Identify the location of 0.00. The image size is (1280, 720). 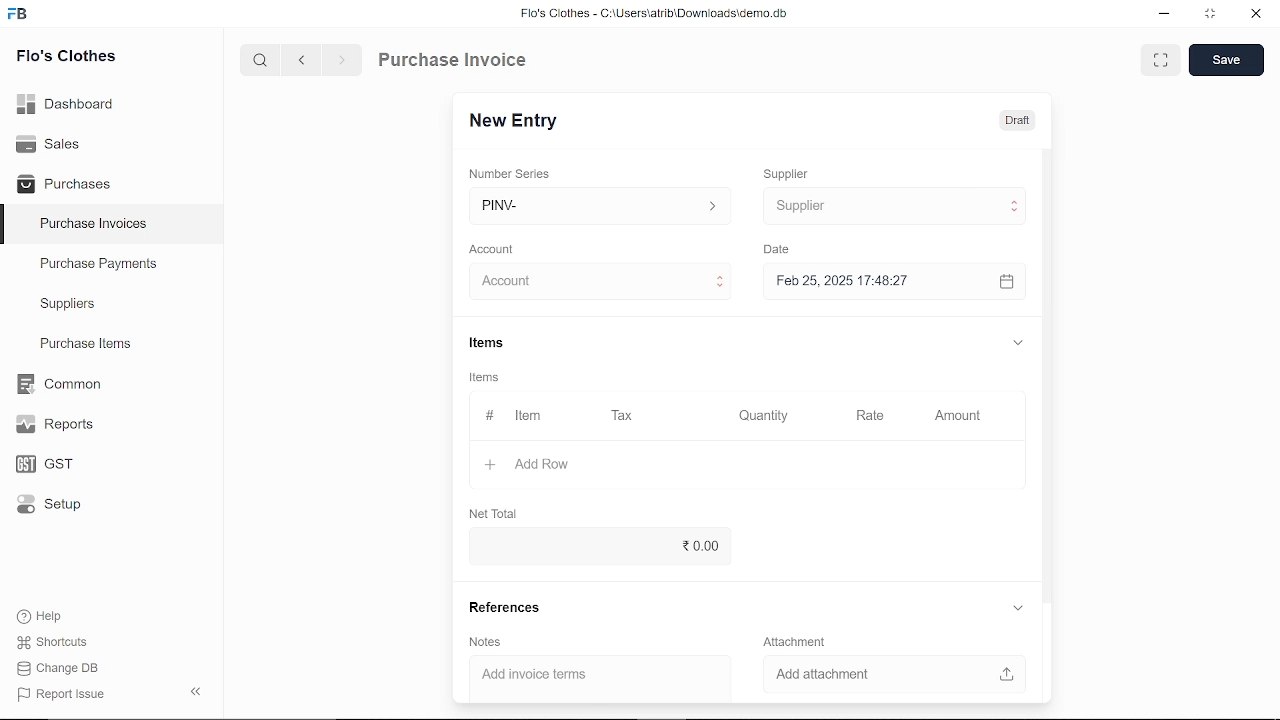
(594, 546).